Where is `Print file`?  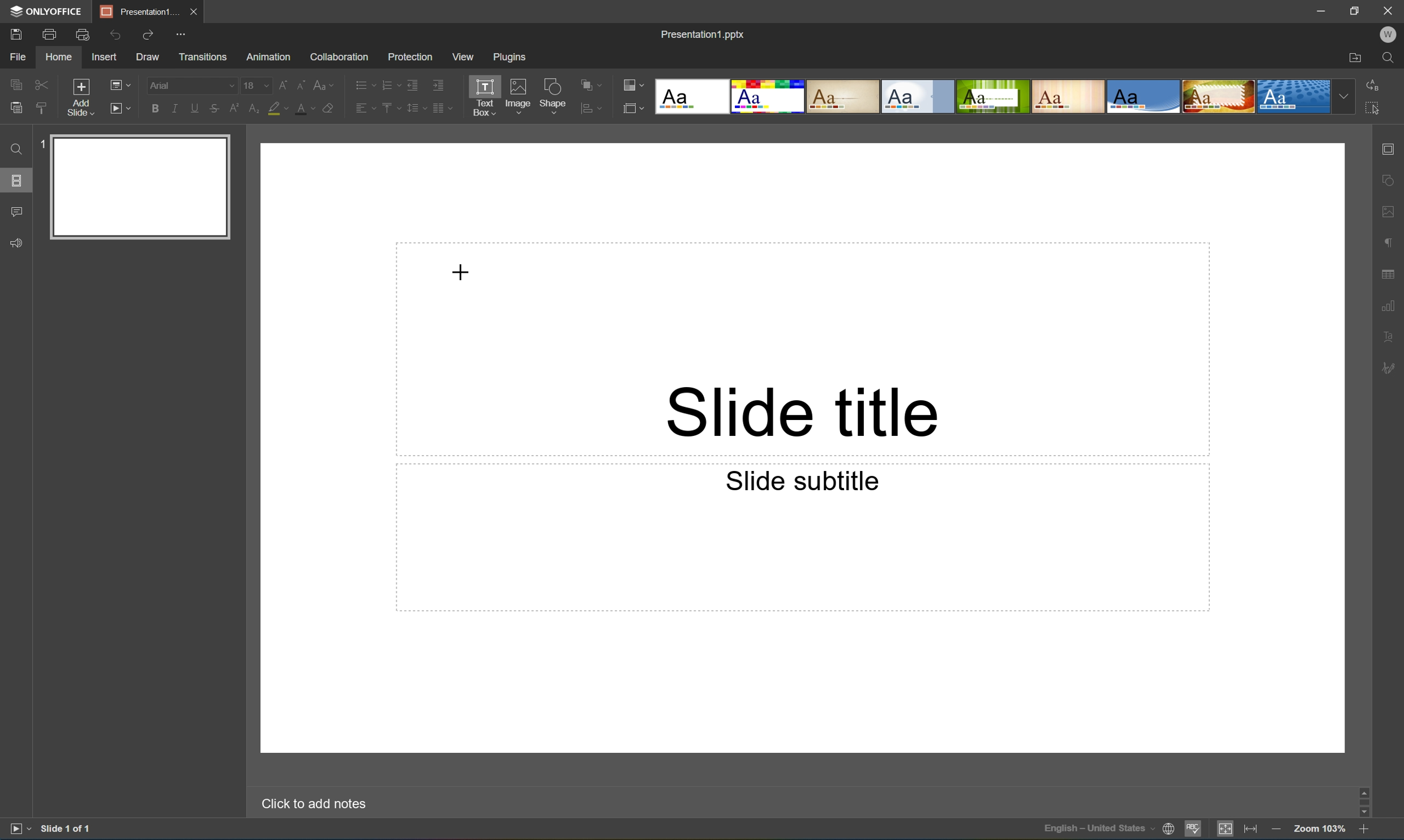
Print file is located at coordinates (50, 35).